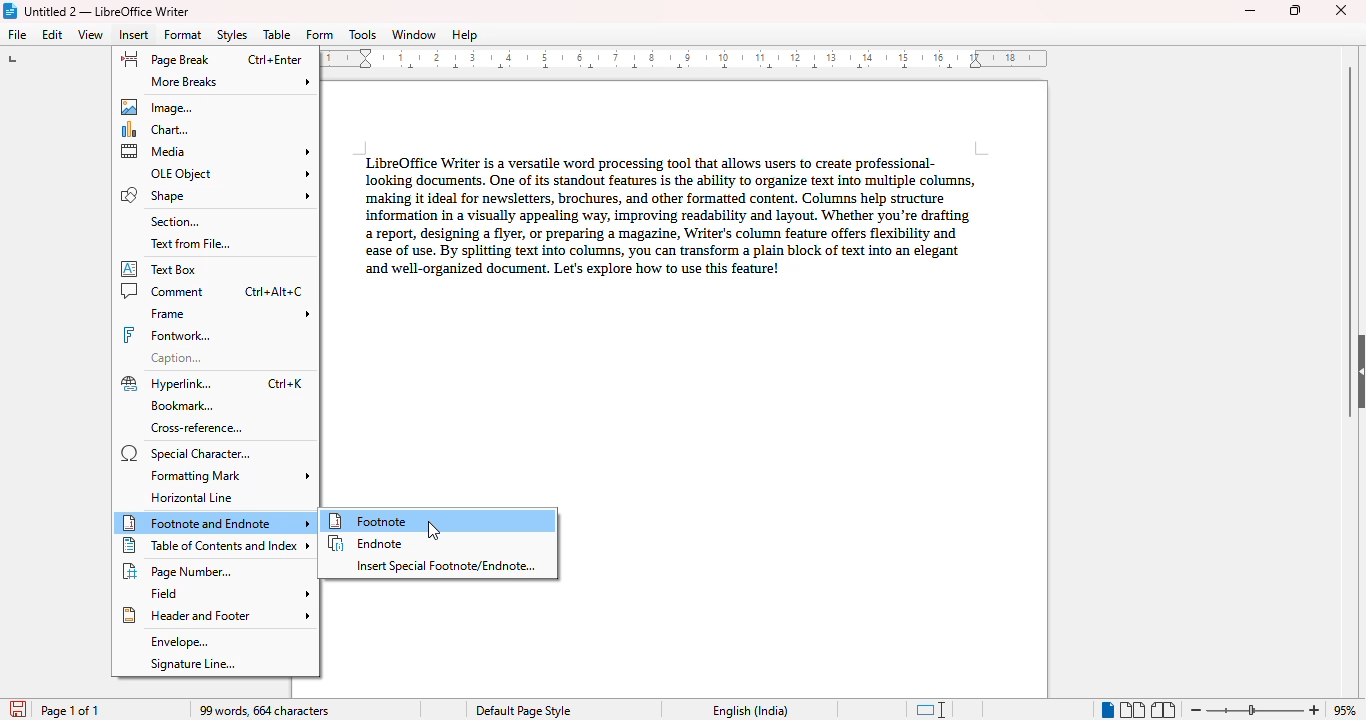 The image size is (1366, 720). Describe the element at coordinates (184, 407) in the screenshot. I see `bookmark` at that location.